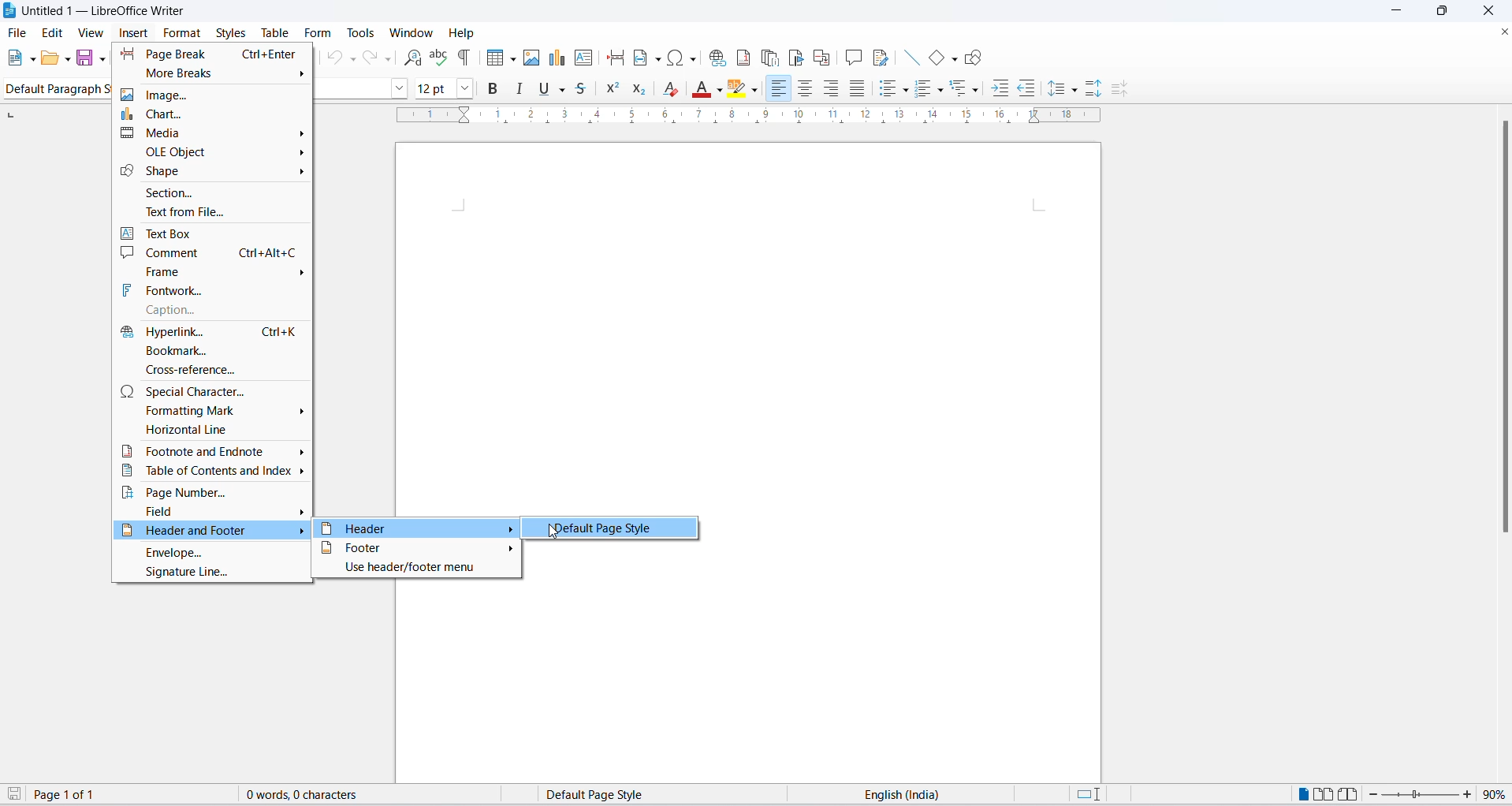 The image size is (1512, 806). What do you see at coordinates (91, 32) in the screenshot?
I see `view` at bounding box center [91, 32].